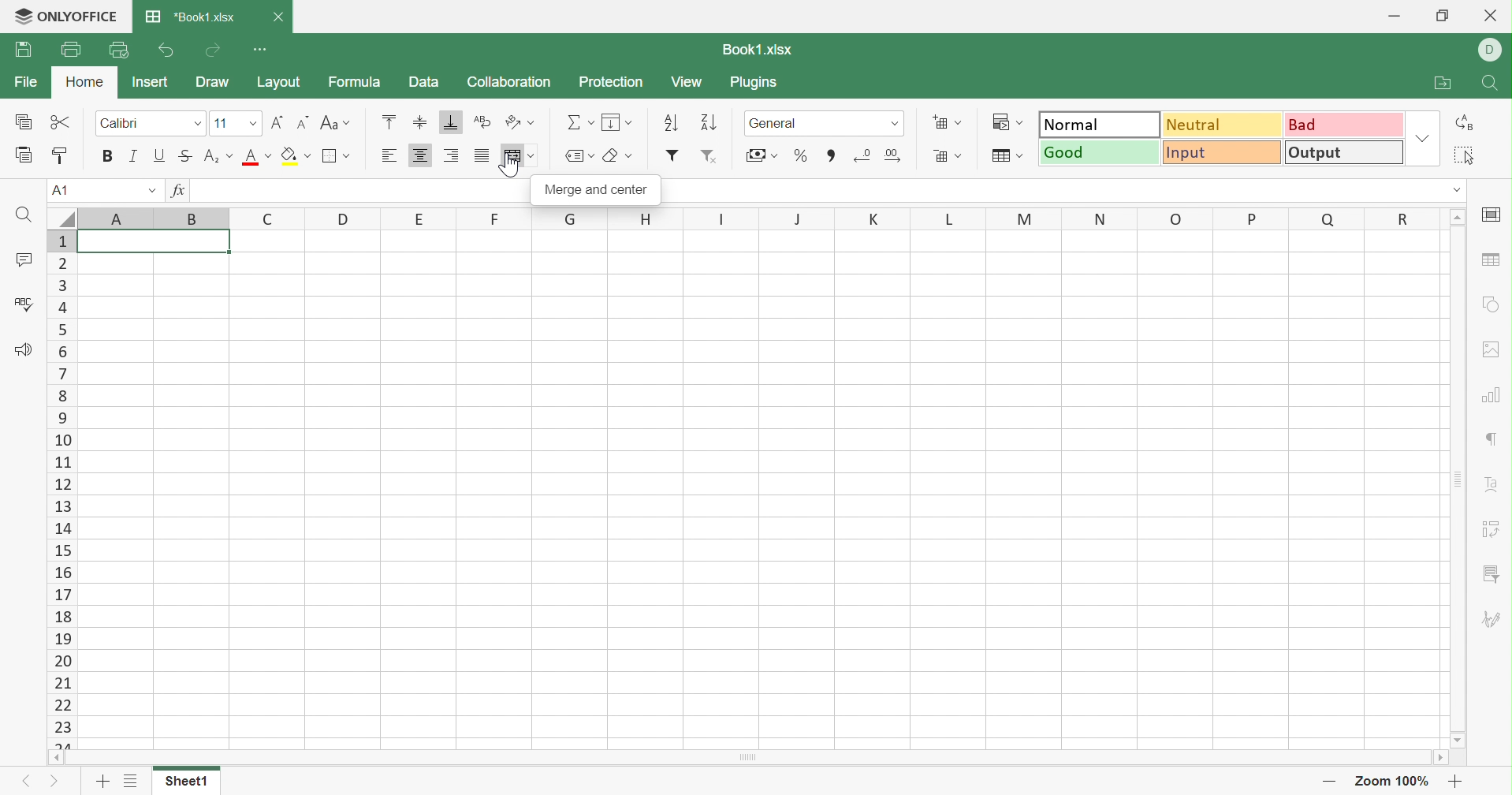 The image size is (1512, 795). Describe the element at coordinates (186, 157) in the screenshot. I see `Strikethrough` at that location.